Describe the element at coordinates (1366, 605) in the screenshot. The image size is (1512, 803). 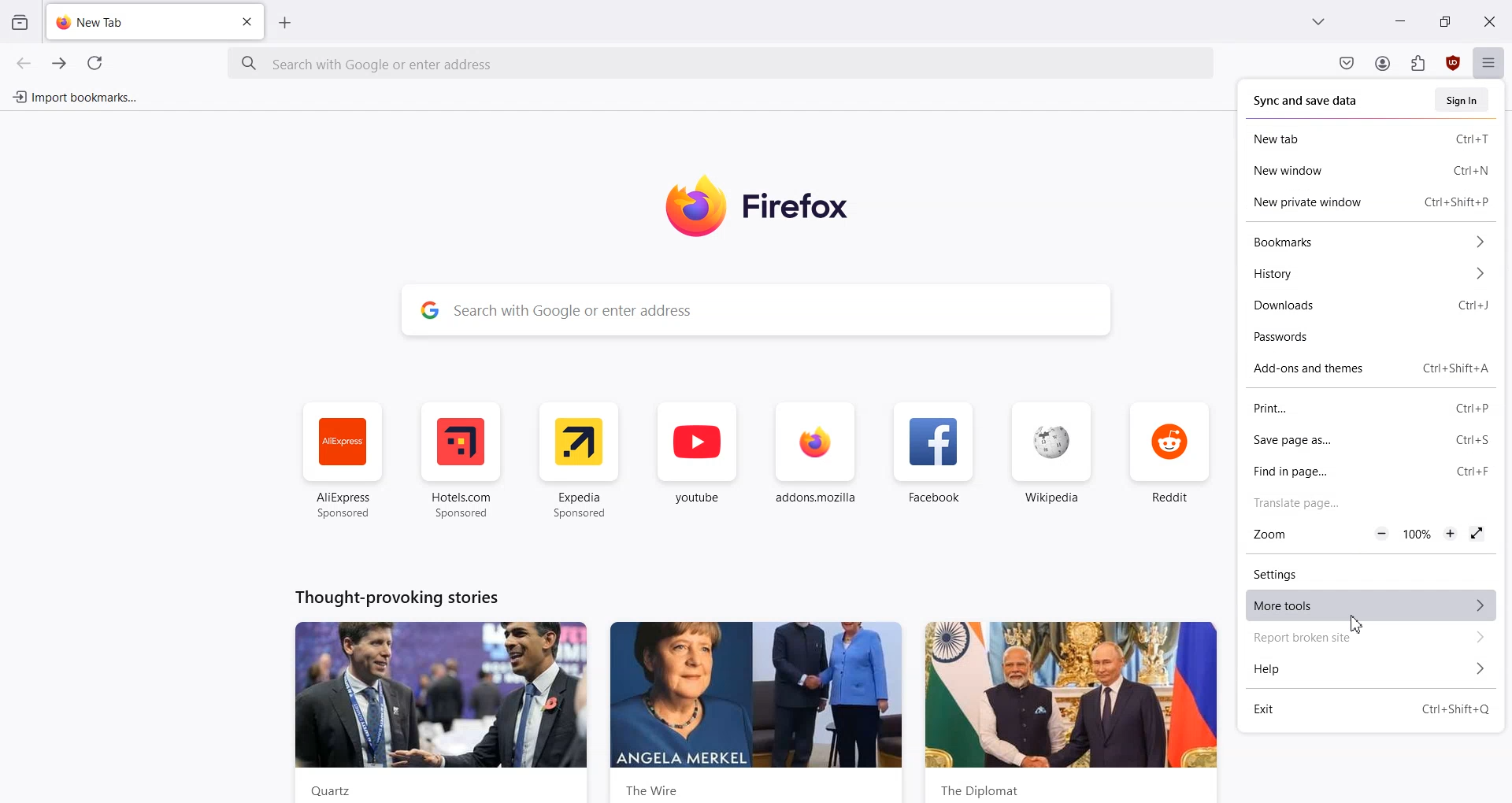
I see `More tools` at that location.